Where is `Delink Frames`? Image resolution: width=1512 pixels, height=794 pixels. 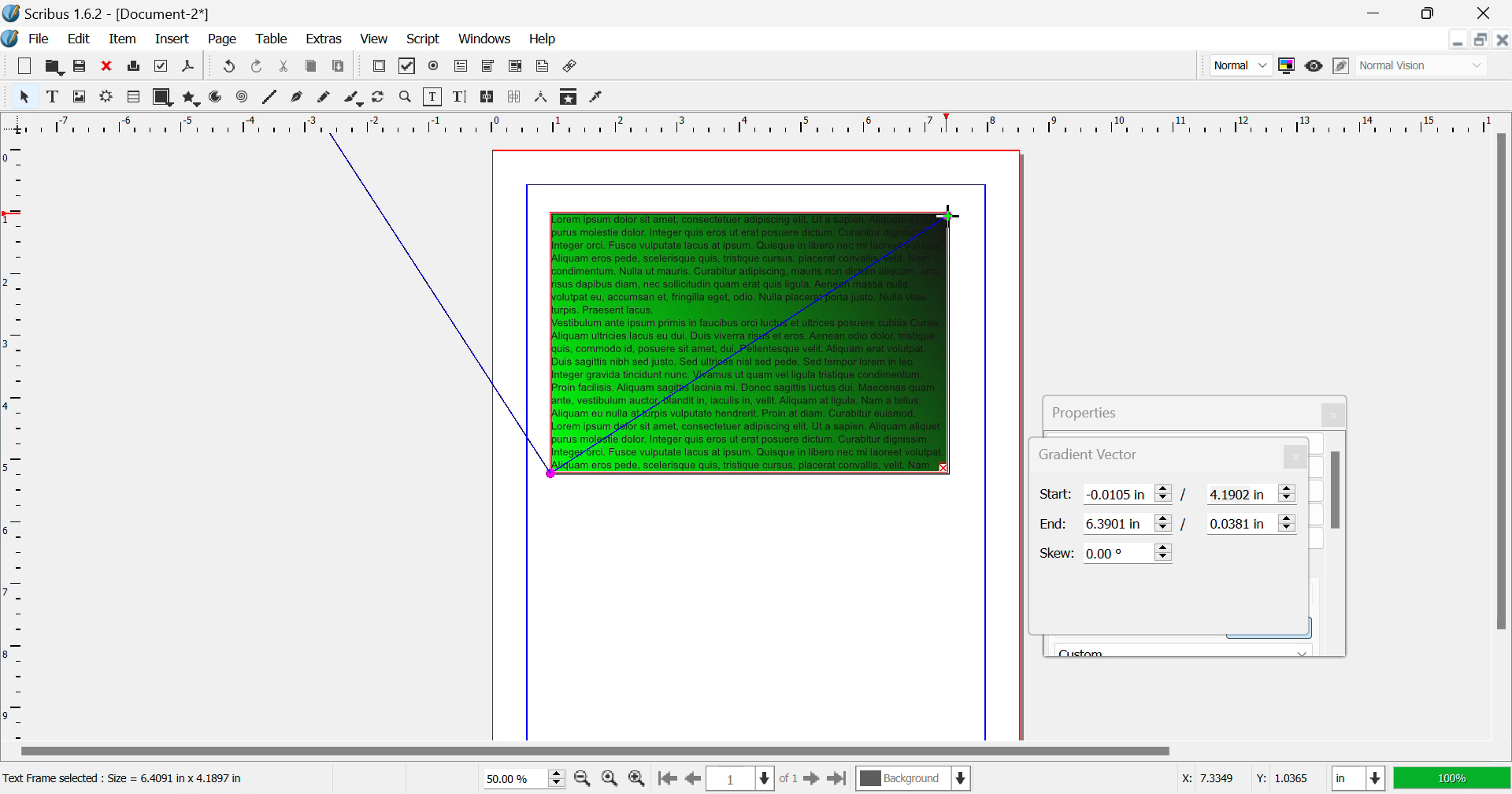 Delink Frames is located at coordinates (516, 97).